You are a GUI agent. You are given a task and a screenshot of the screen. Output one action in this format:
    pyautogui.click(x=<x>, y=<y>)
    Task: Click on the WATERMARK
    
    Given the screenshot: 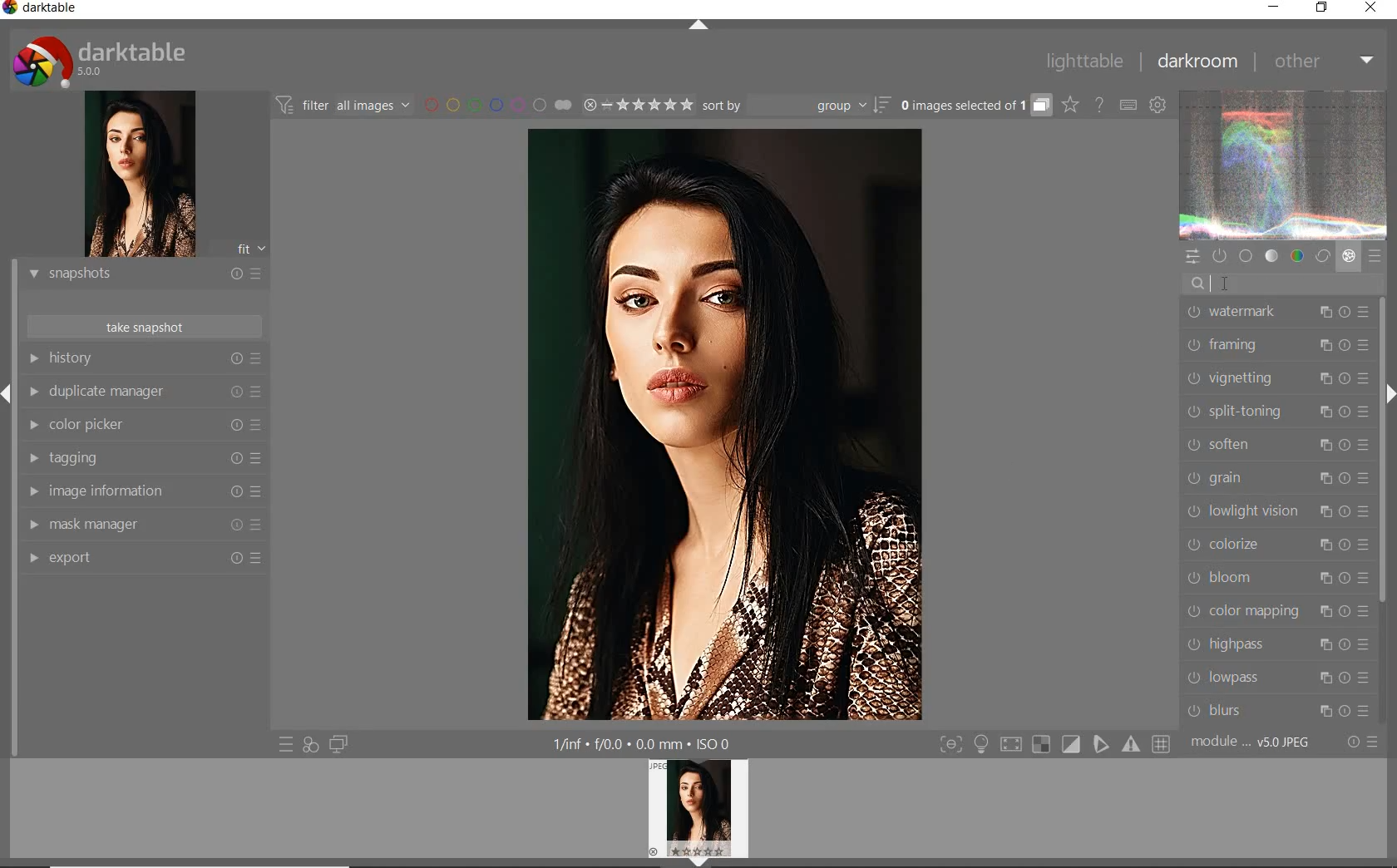 What is the action you would take?
    pyautogui.click(x=1275, y=312)
    